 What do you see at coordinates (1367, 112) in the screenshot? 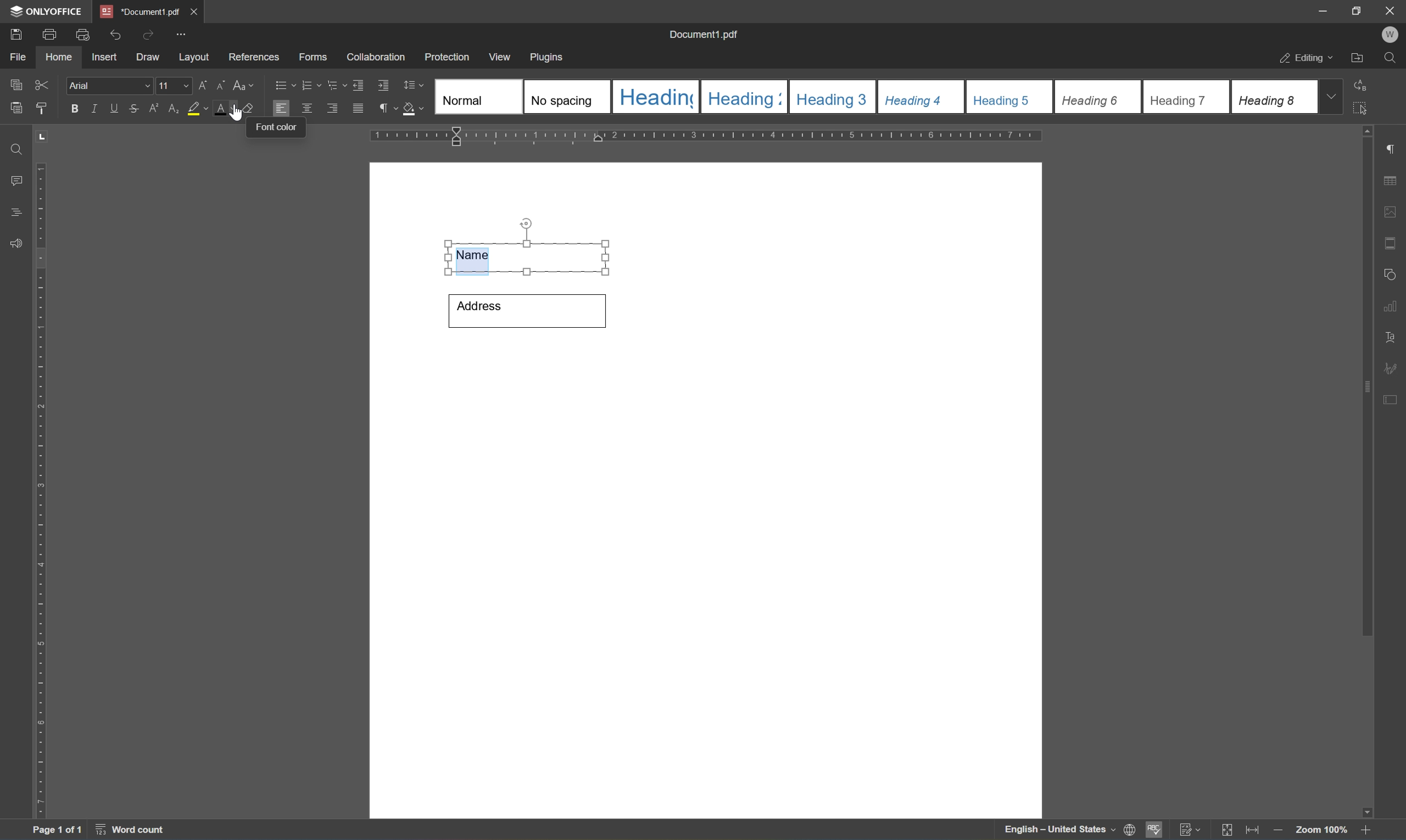
I see `select all` at bounding box center [1367, 112].